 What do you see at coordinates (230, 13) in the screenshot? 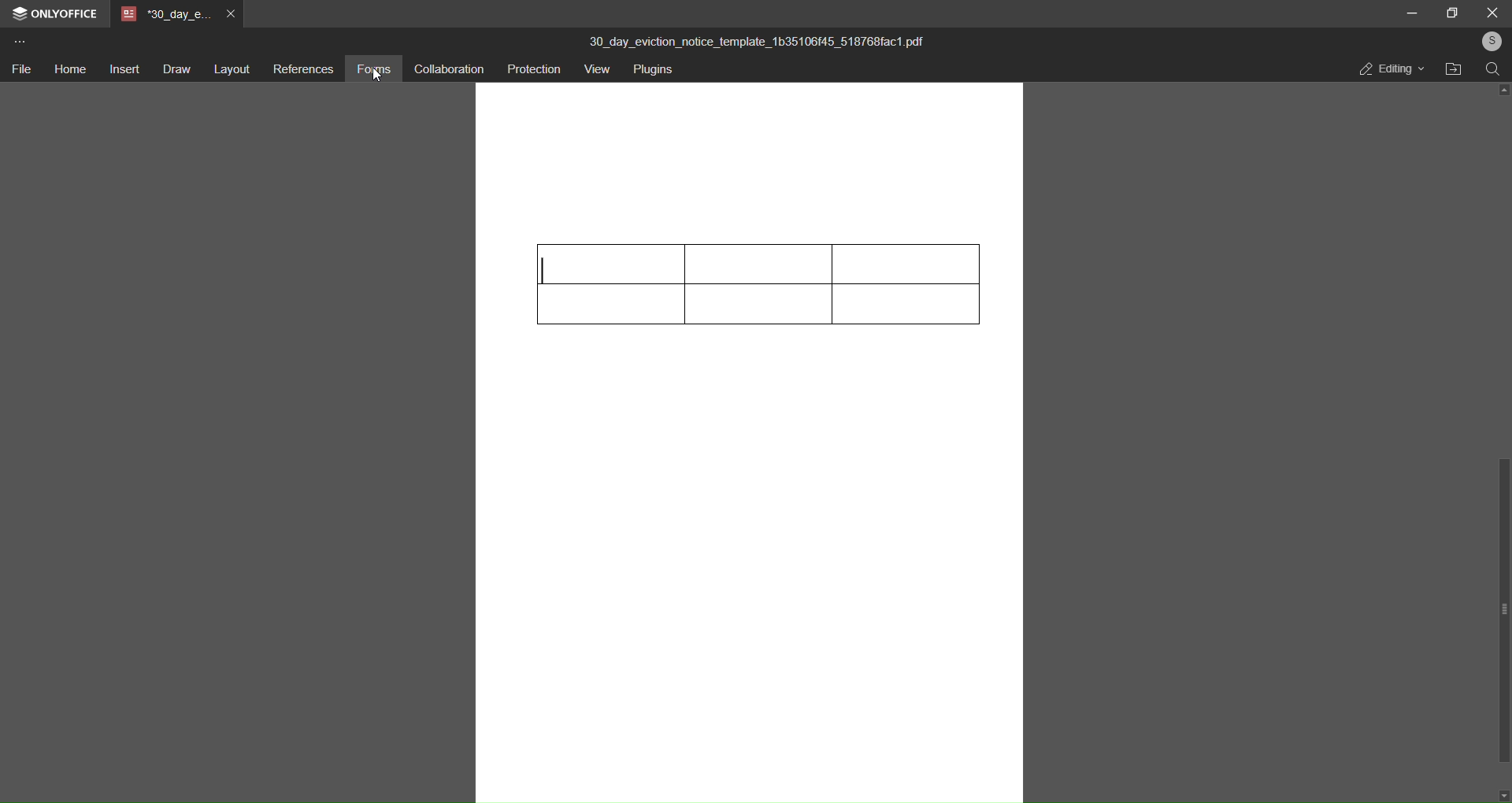
I see `close tab` at bounding box center [230, 13].